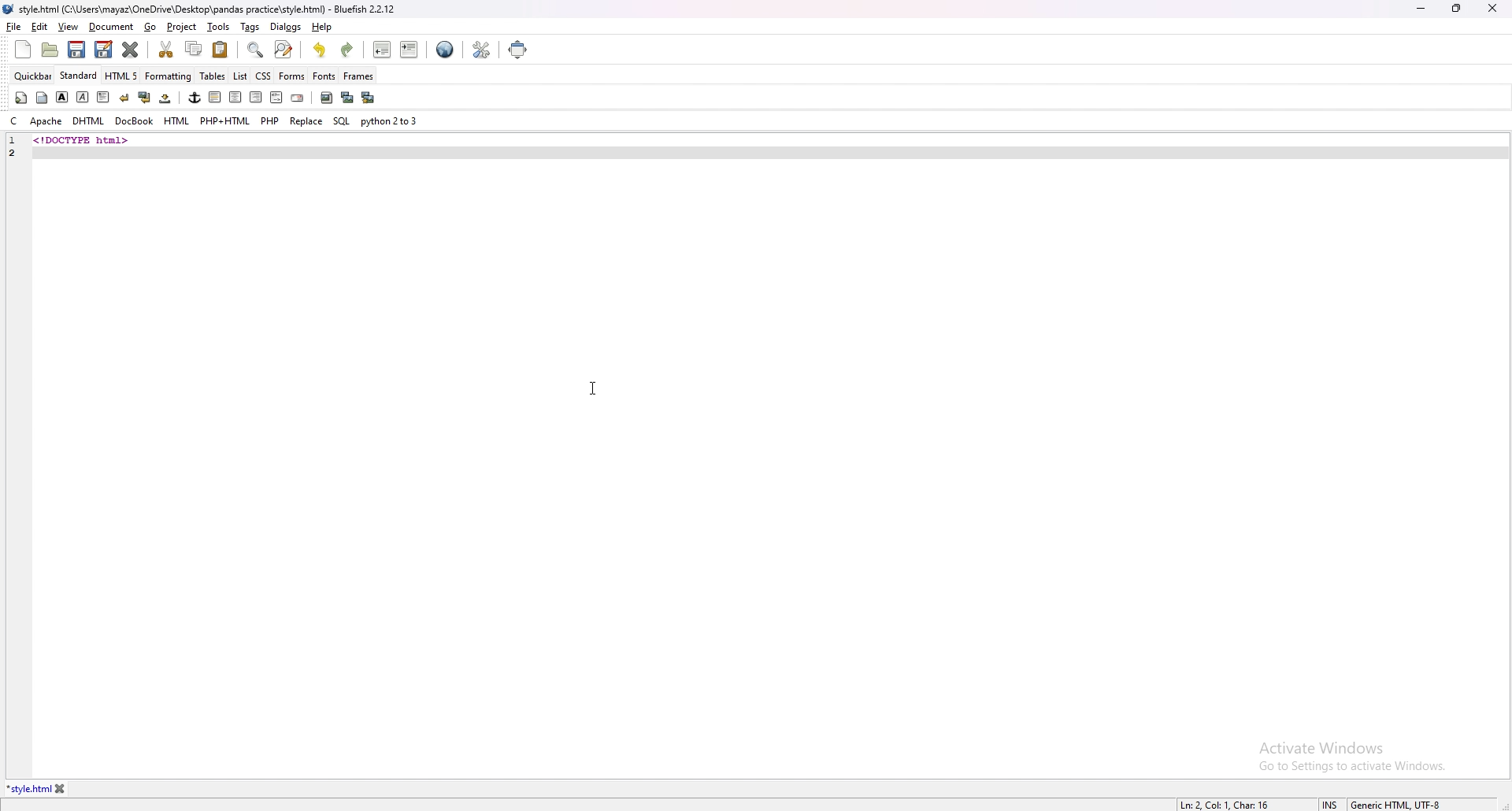 Image resolution: width=1512 pixels, height=811 pixels. Describe the element at coordinates (297, 98) in the screenshot. I see `email` at that location.